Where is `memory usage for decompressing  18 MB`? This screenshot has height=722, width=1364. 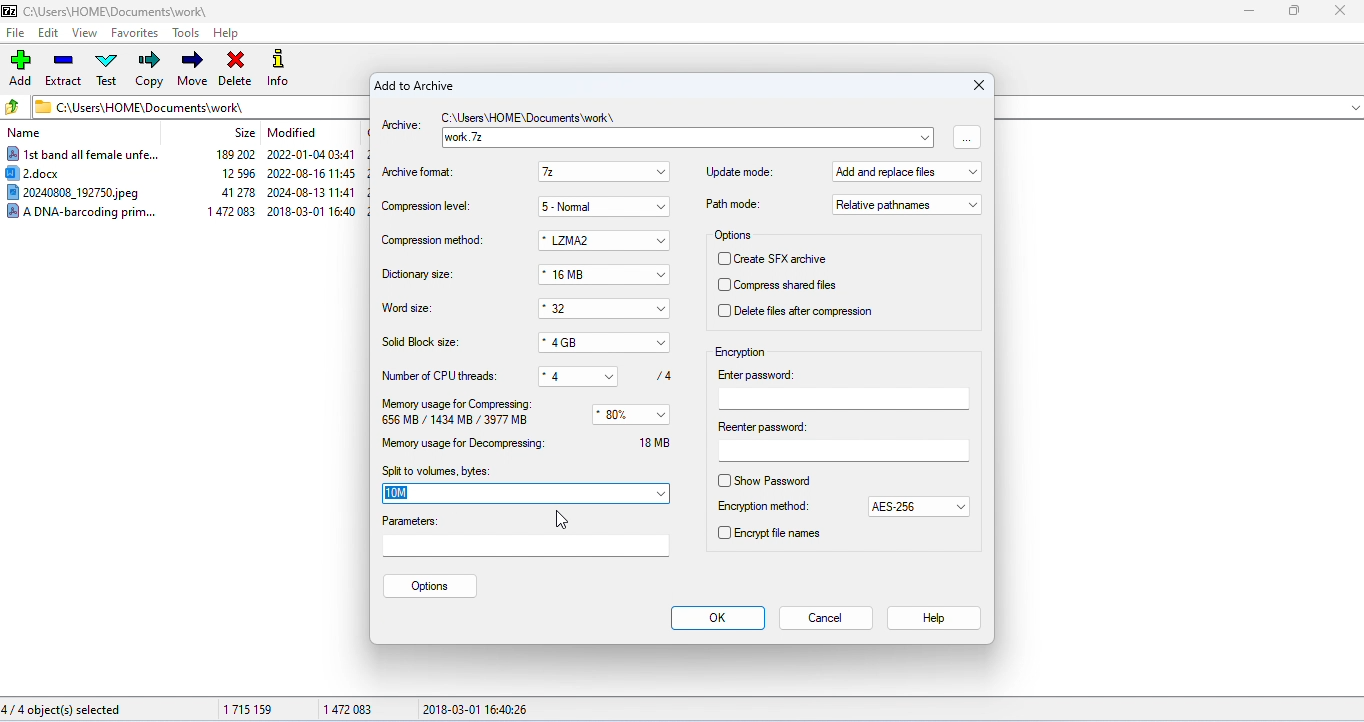 memory usage for decompressing  18 MB is located at coordinates (535, 443).